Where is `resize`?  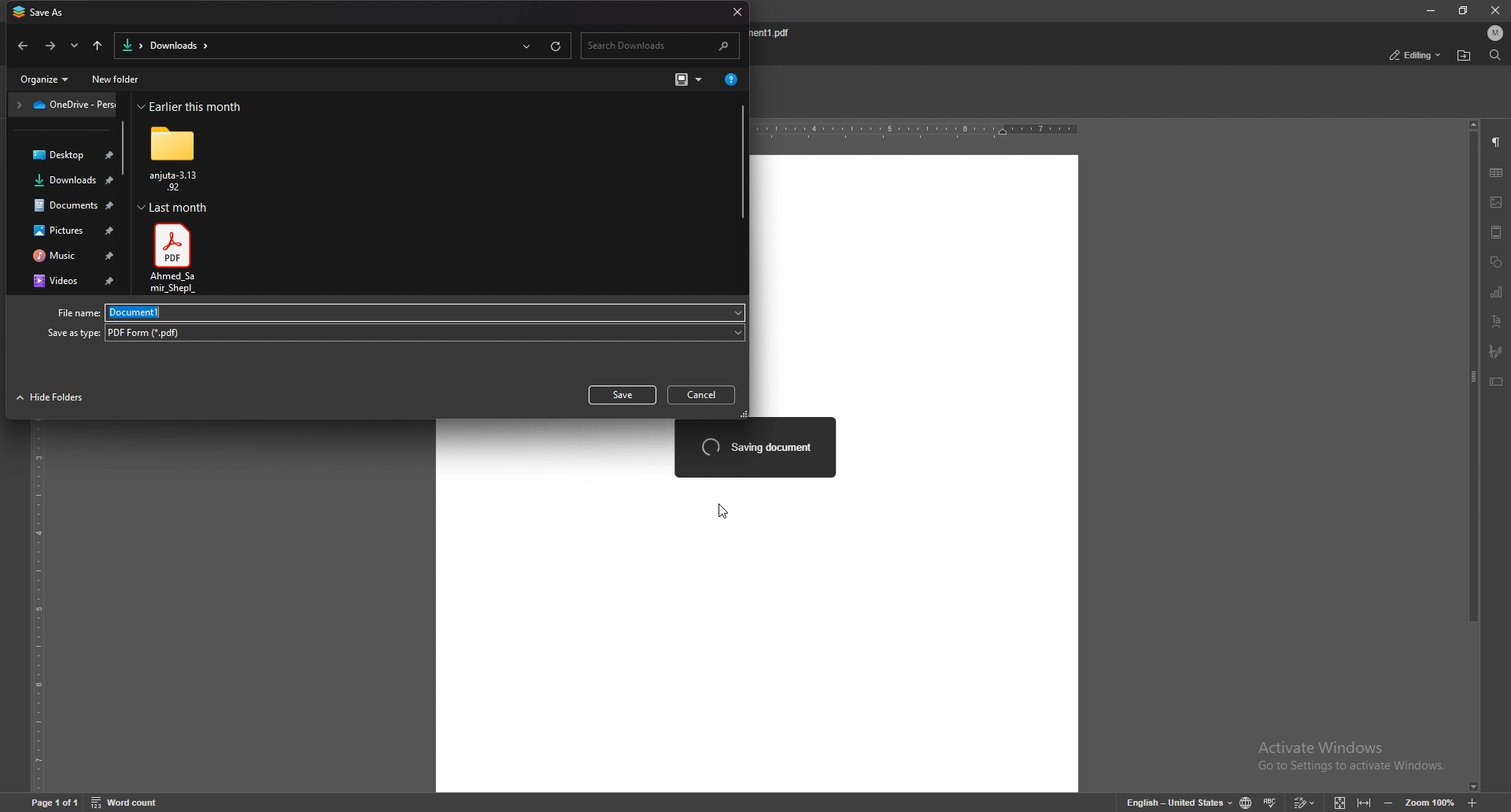 resize is located at coordinates (1465, 11).